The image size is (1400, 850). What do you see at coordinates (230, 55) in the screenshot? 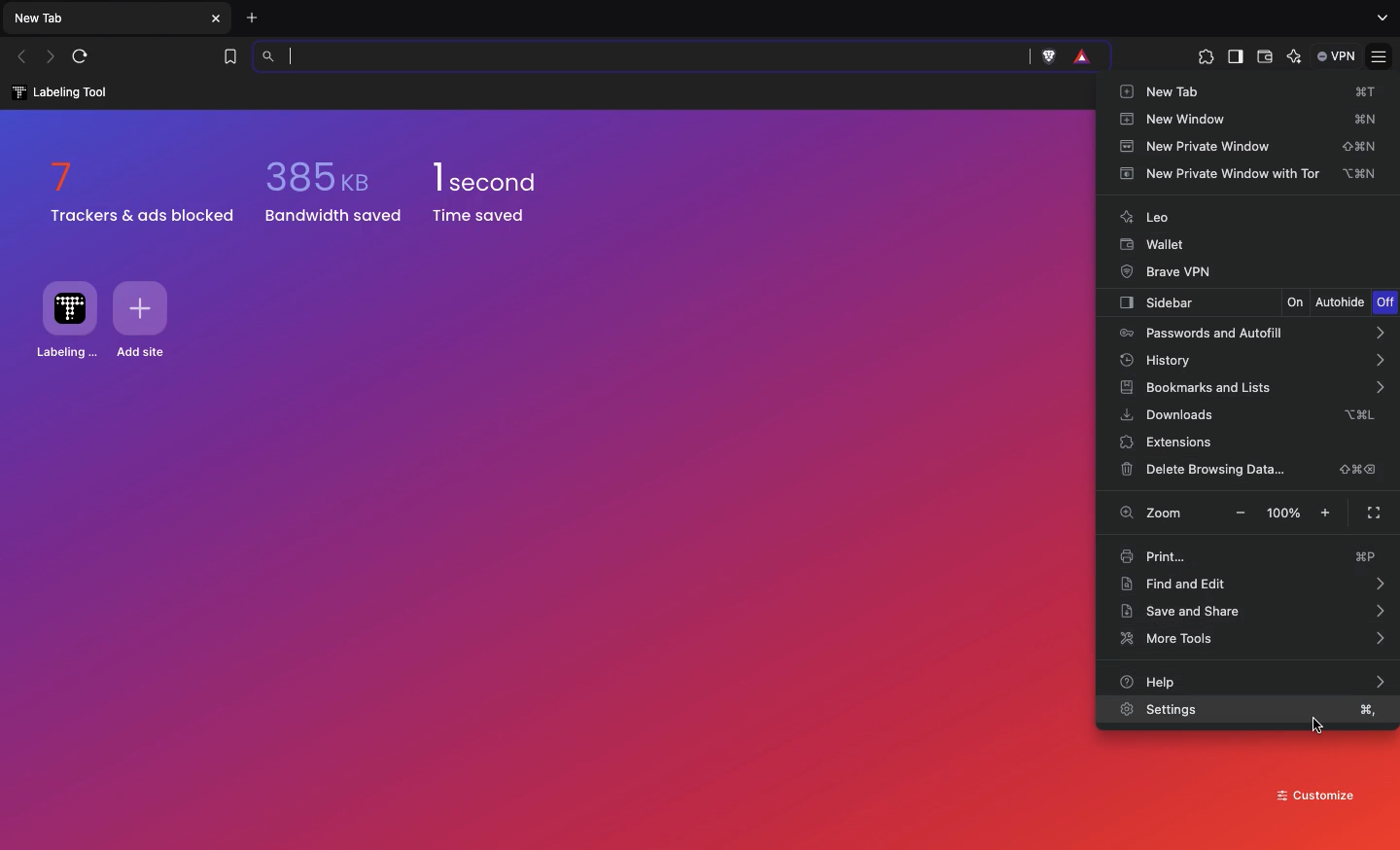
I see `bookmark this tab` at bounding box center [230, 55].